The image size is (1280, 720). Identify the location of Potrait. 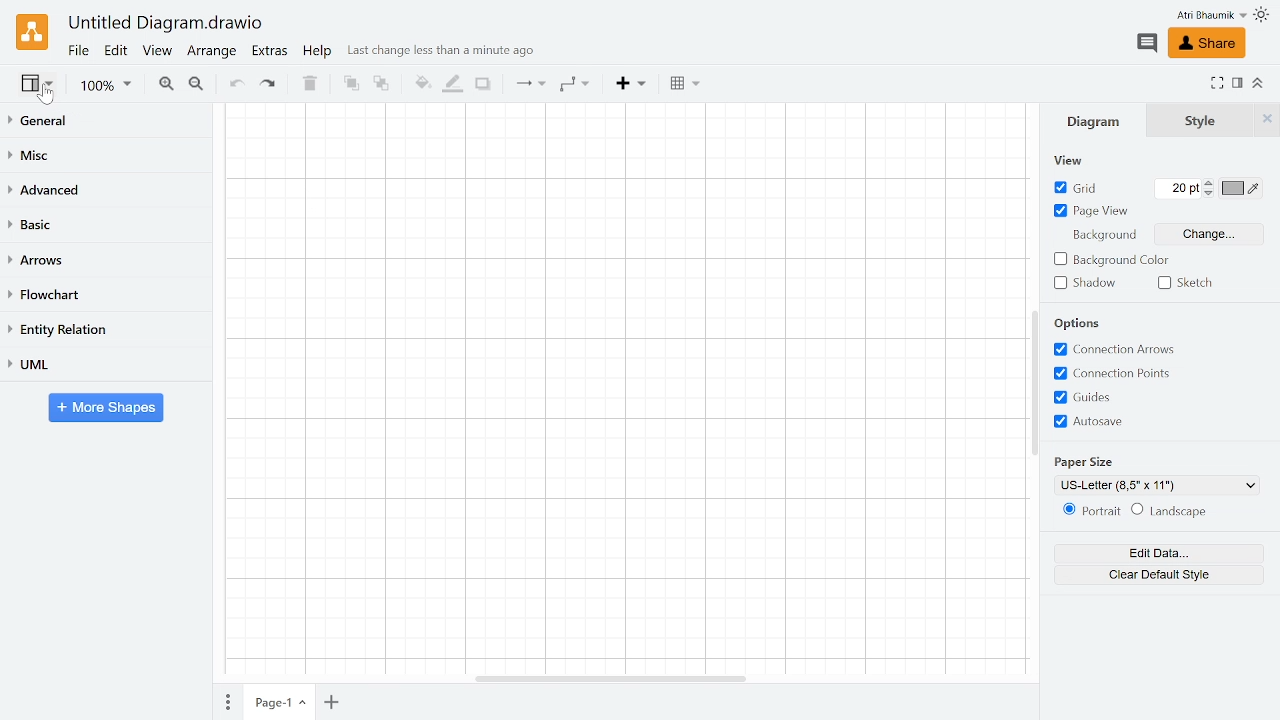
(1090, 511).